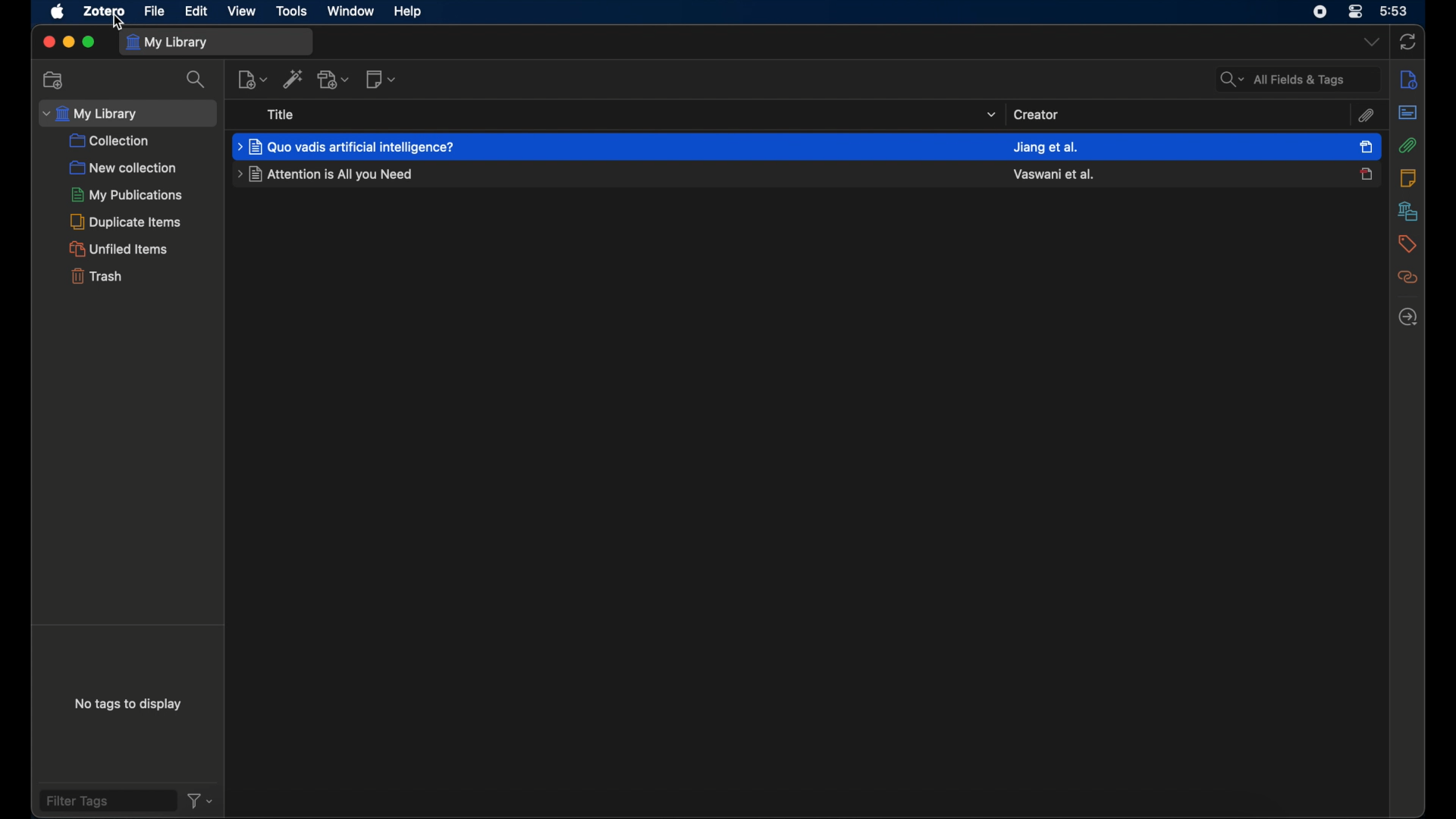 This screenshot has width=1456, height=819. Describe the element at coordinates (327, 174) in the screenshot. I see `journal title` at that location.